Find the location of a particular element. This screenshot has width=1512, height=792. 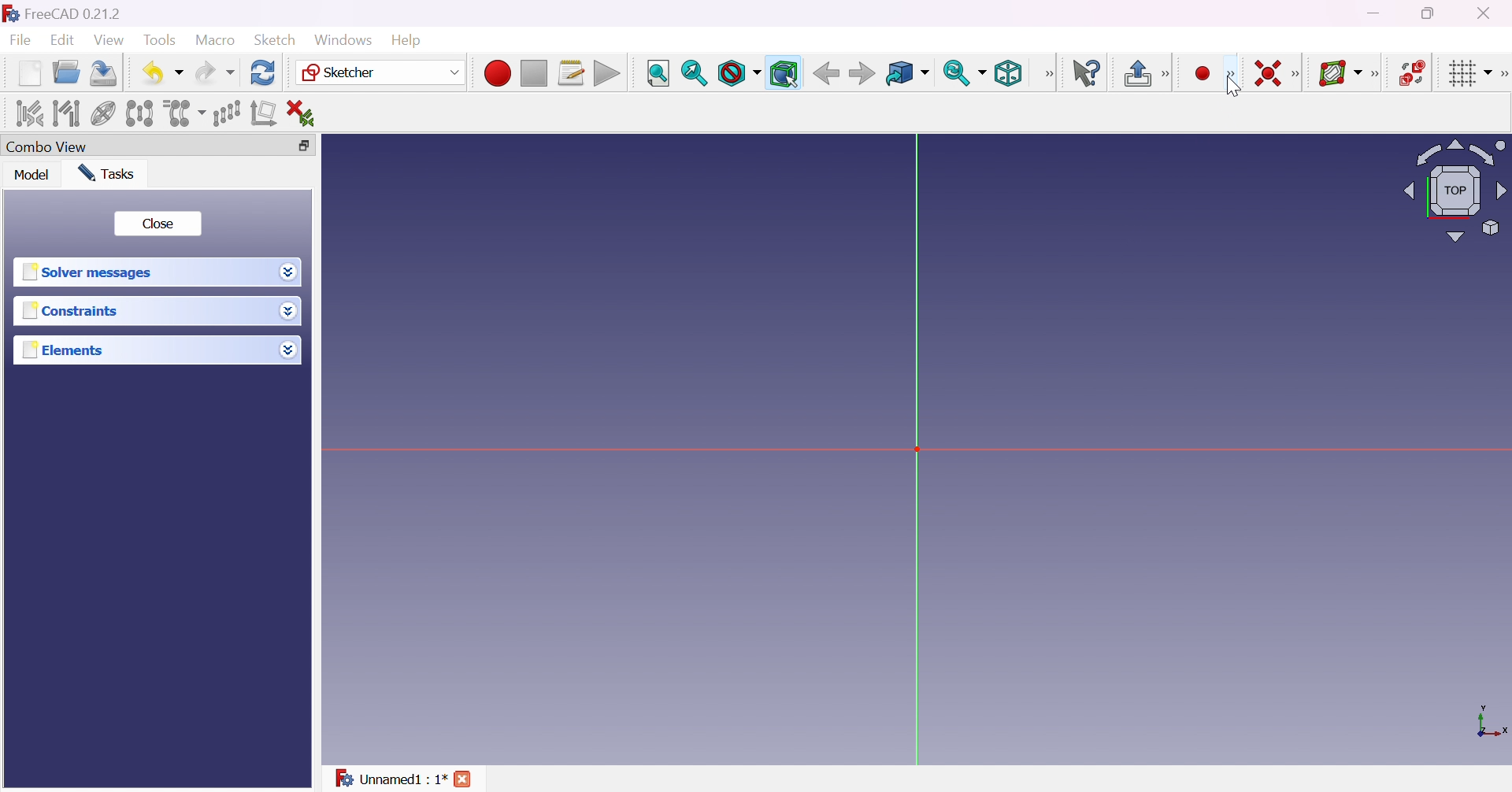

Elements is located at coordinates (65, 350).